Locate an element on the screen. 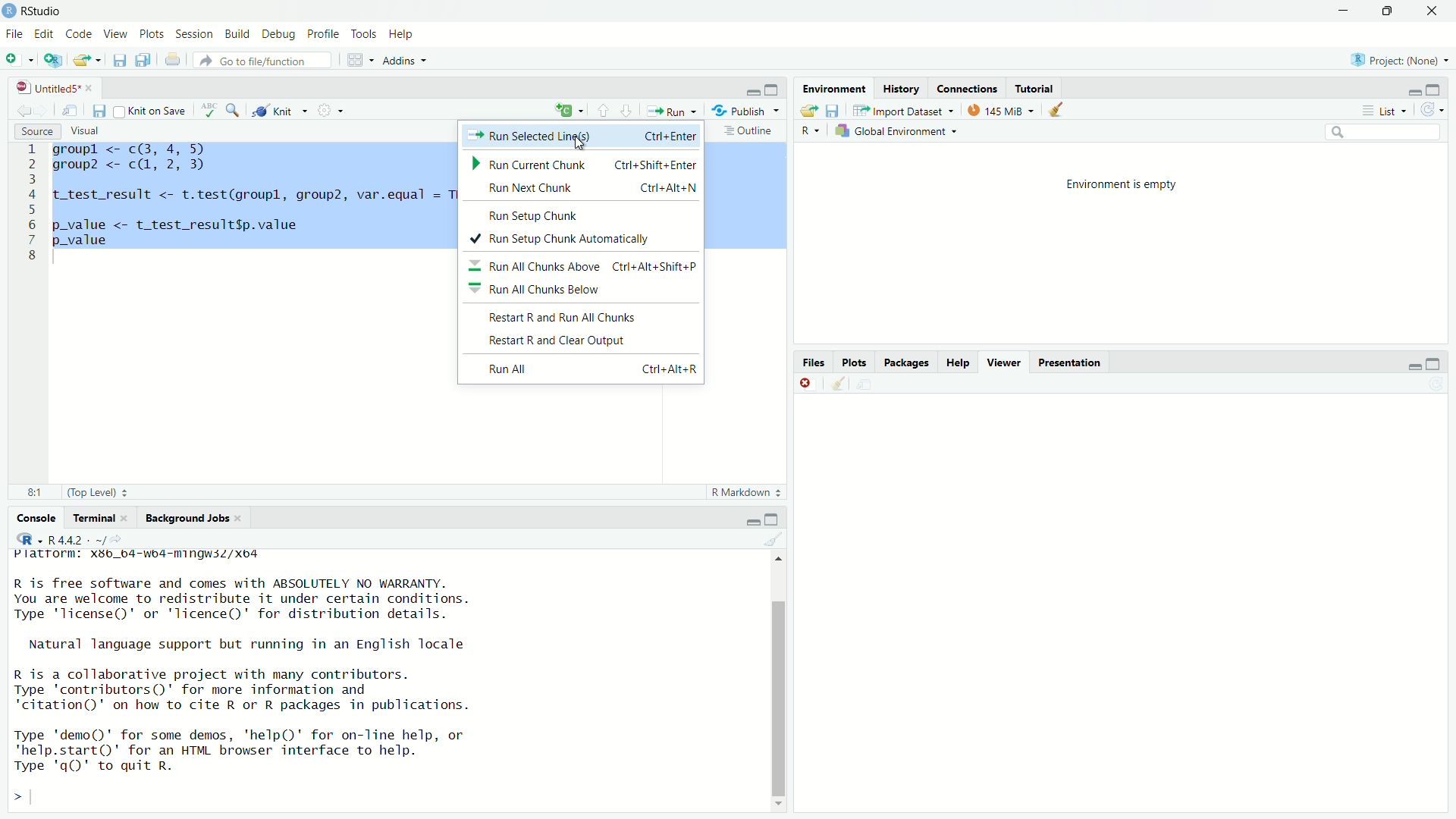 This screenshot has width=1456, height=819. Run Setup Chunk is located at coordinates (534, 216).